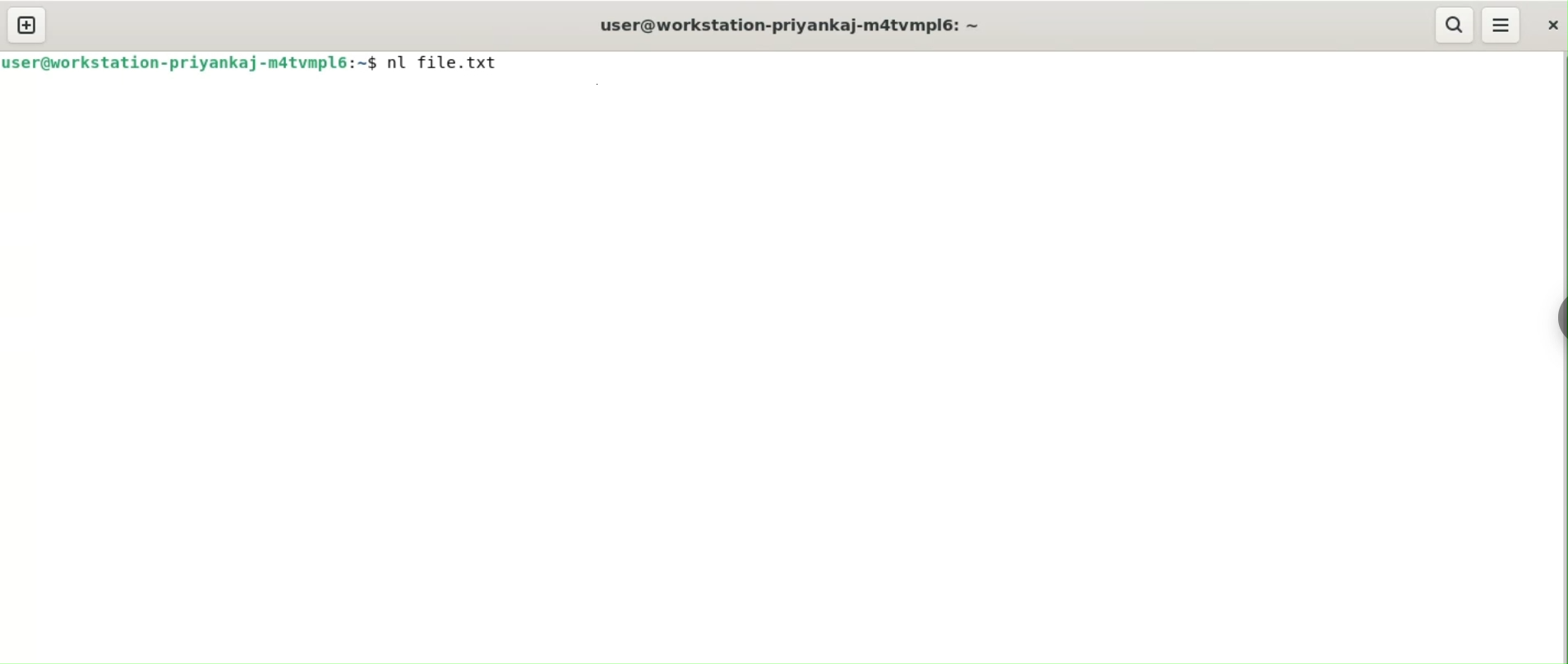  Describe the element at coordinates (791, 22) in the screenshot. I see `user@workstation-priyankaj-m4atvmpl6: ~` at that location.